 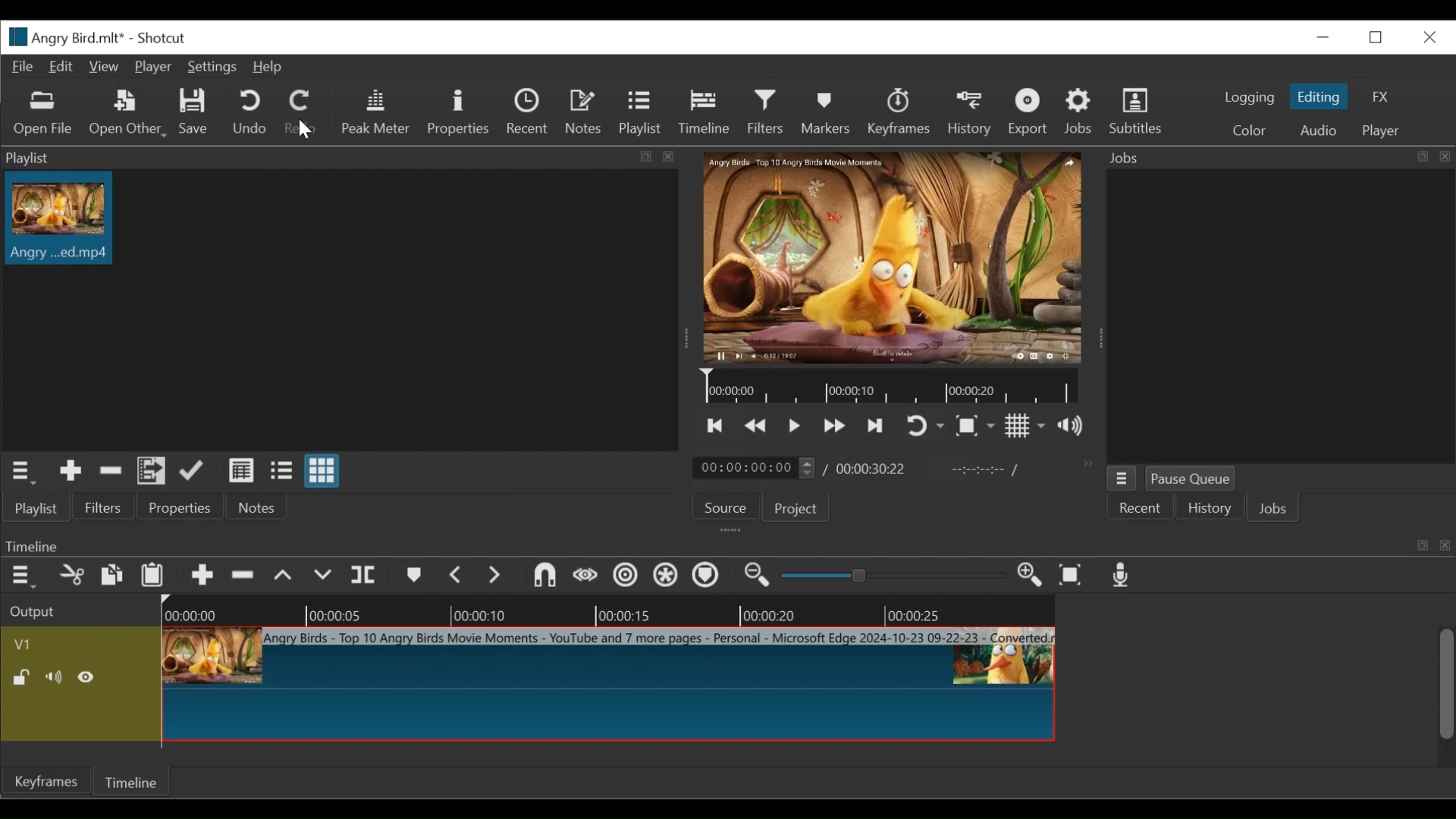 I want to click on Play quickly forward, so click(x=756, y=425).